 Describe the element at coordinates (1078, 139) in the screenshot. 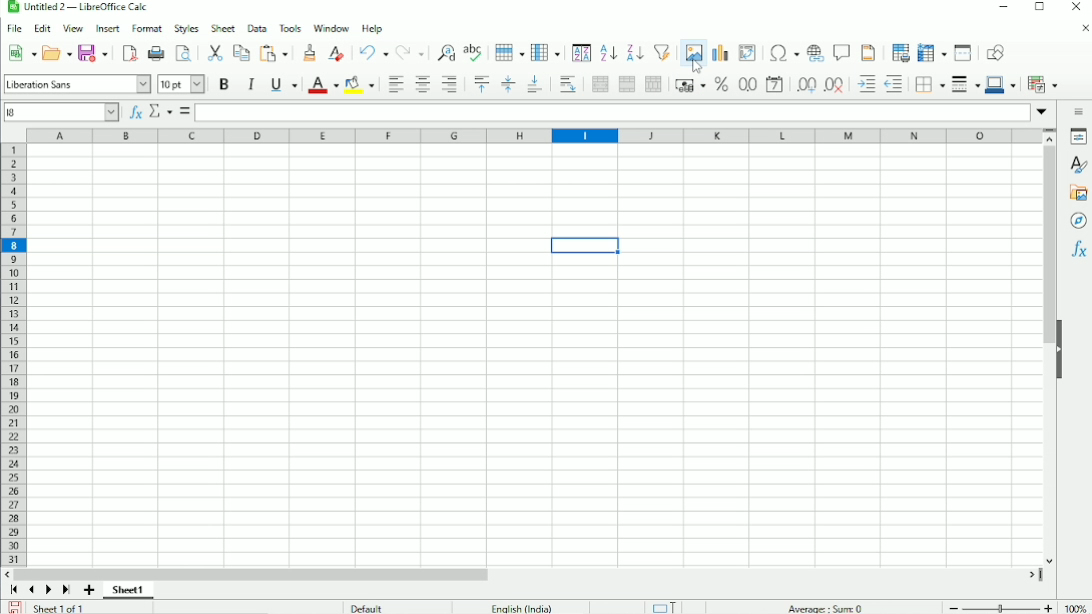

I see `Properties` at that location.